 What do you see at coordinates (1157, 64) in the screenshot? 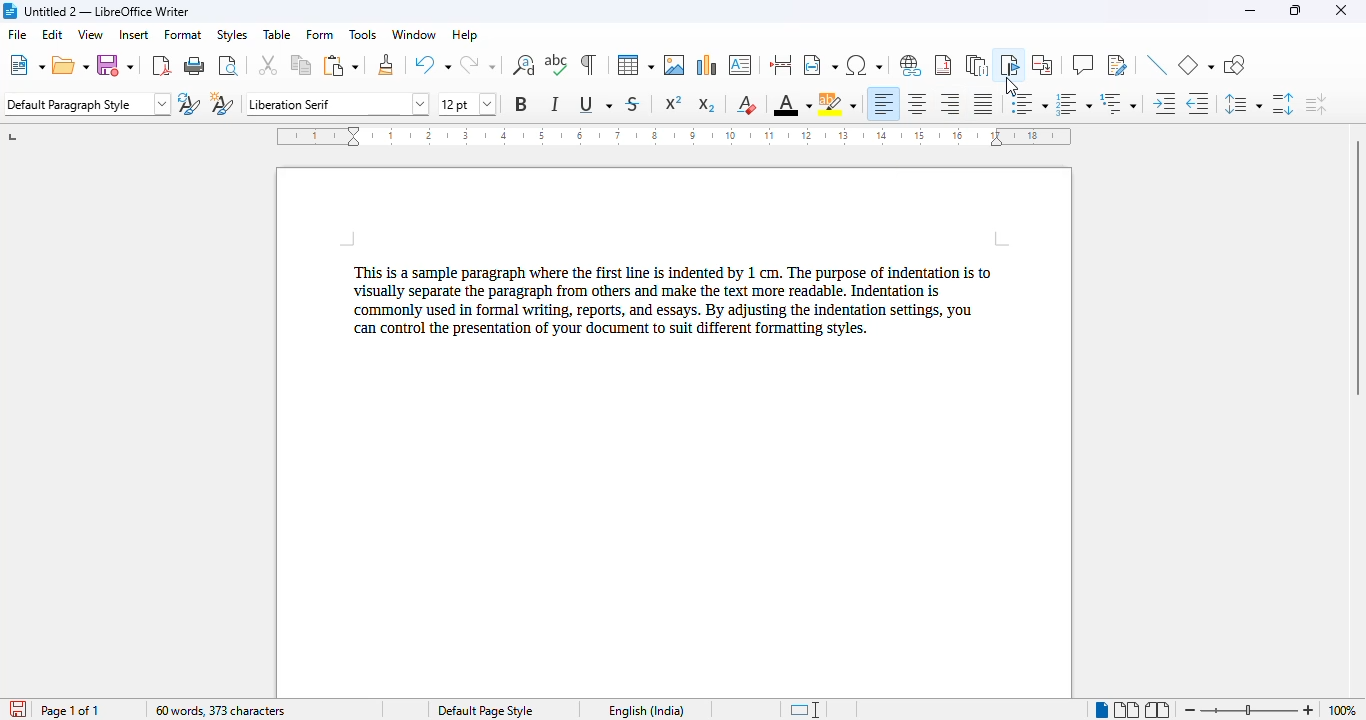
I see `insert line` at bounding box center [1157, 64].